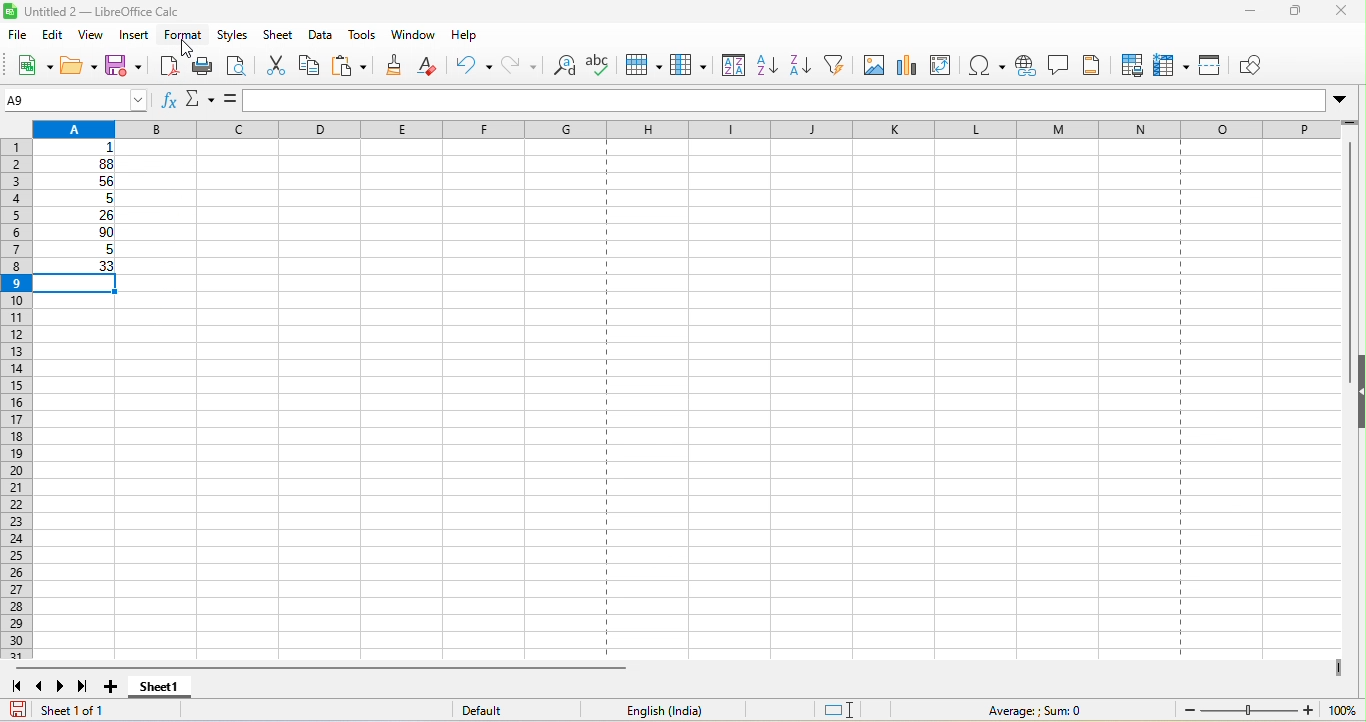 The height and width of the screenshot is (722, 1366). Describe the element at coordinates (207, 66) in the screenshot. I see `print` at that location.